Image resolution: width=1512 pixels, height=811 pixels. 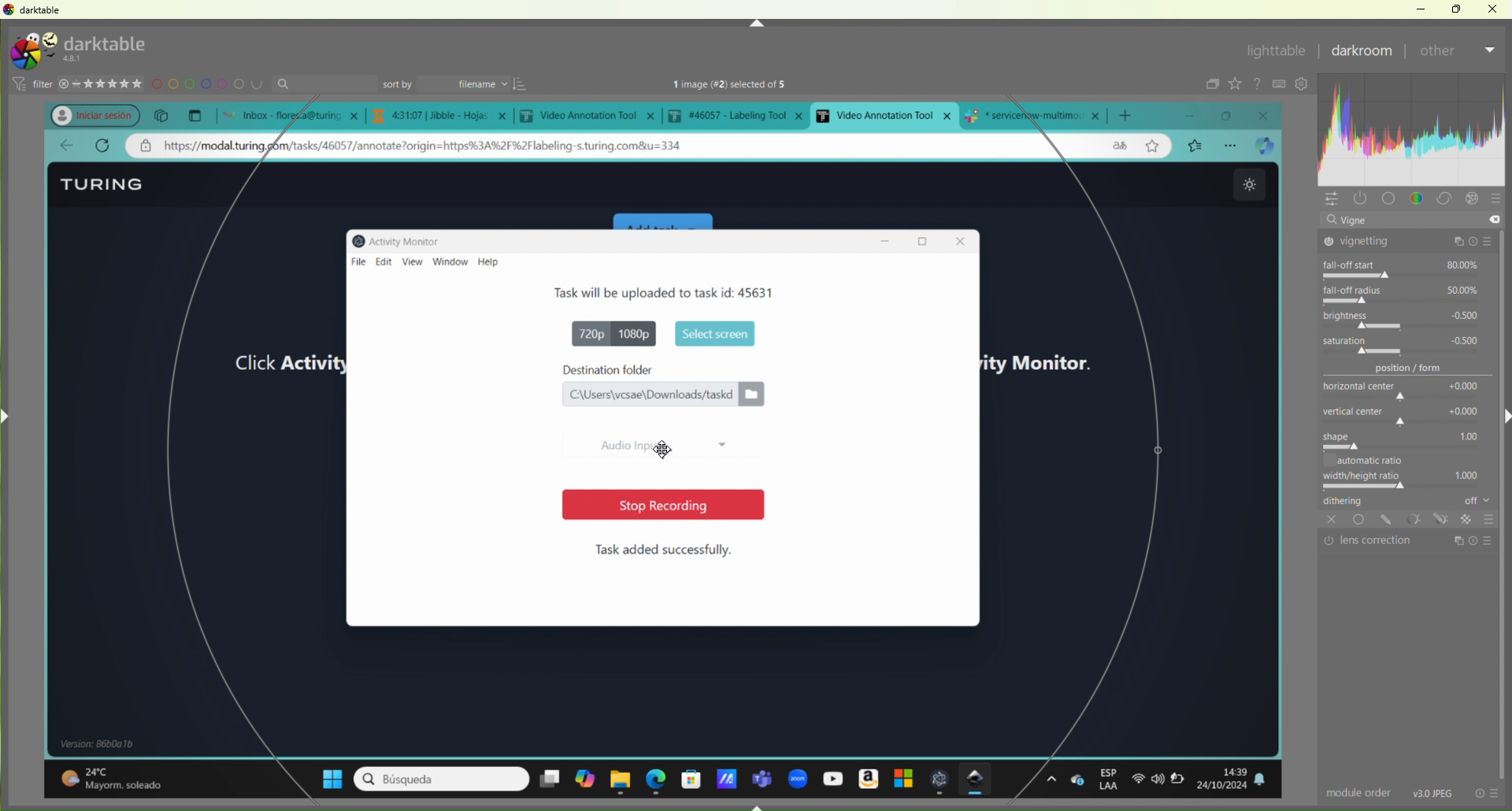 I want to click on options, so click(x=1051, y=779).